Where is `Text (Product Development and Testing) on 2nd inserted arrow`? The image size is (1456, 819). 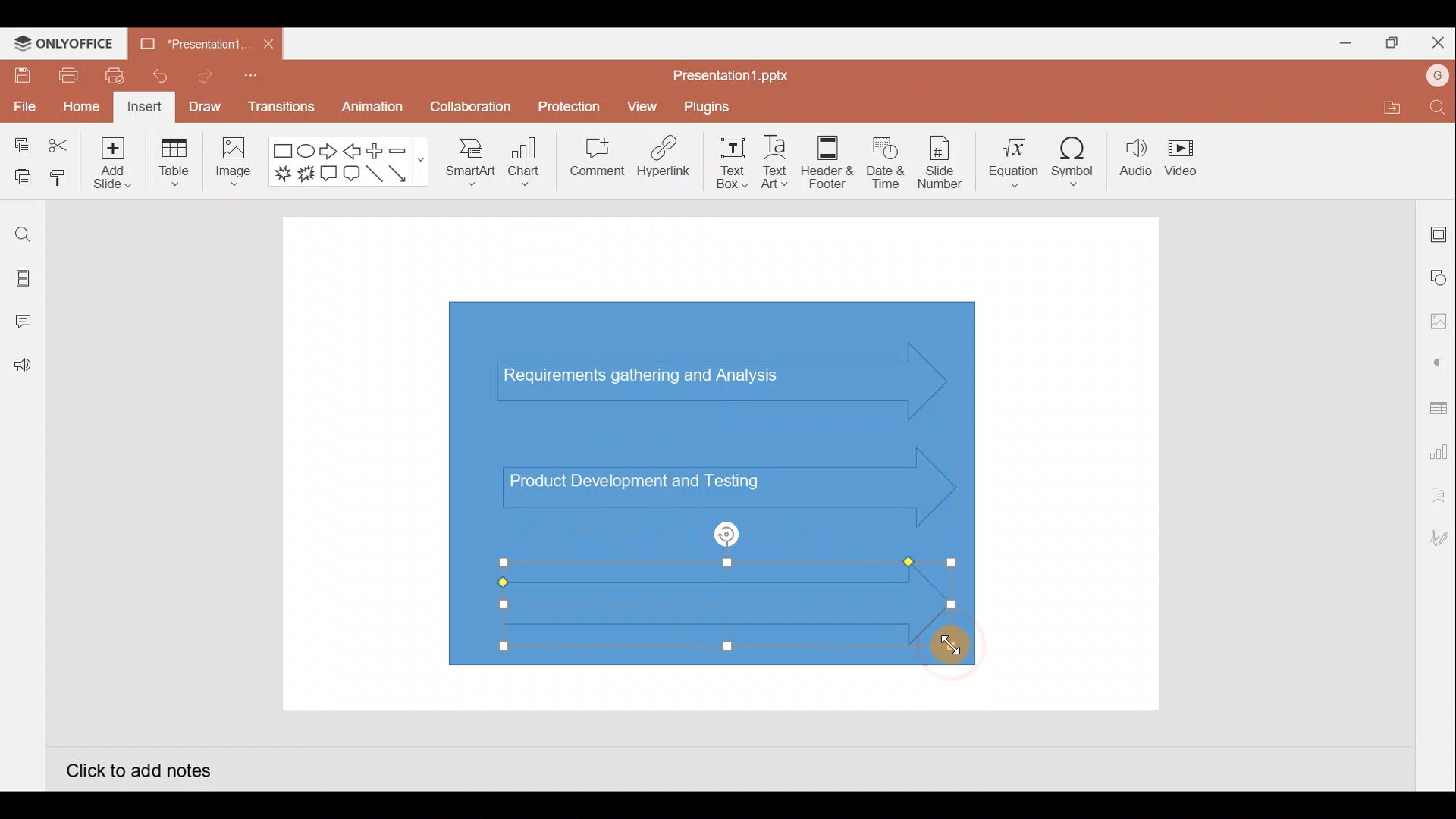
Text (Product Development and Testing) on 2nd inserted arrow is located at coordinates (651, 479).